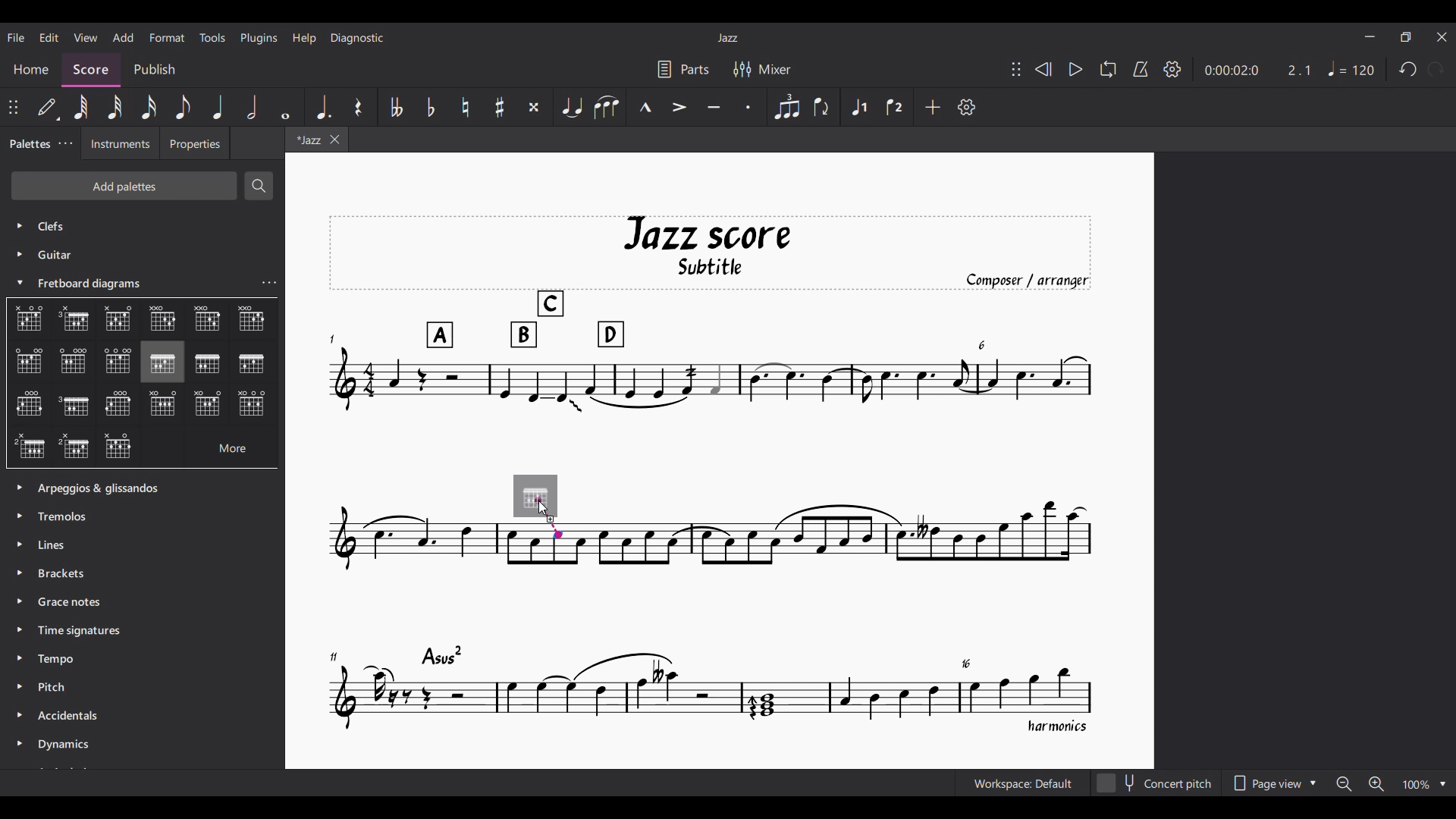  Describe the element at coordinates (1023, 783) in the screenshot. I see `Current workspace setting` at that location.